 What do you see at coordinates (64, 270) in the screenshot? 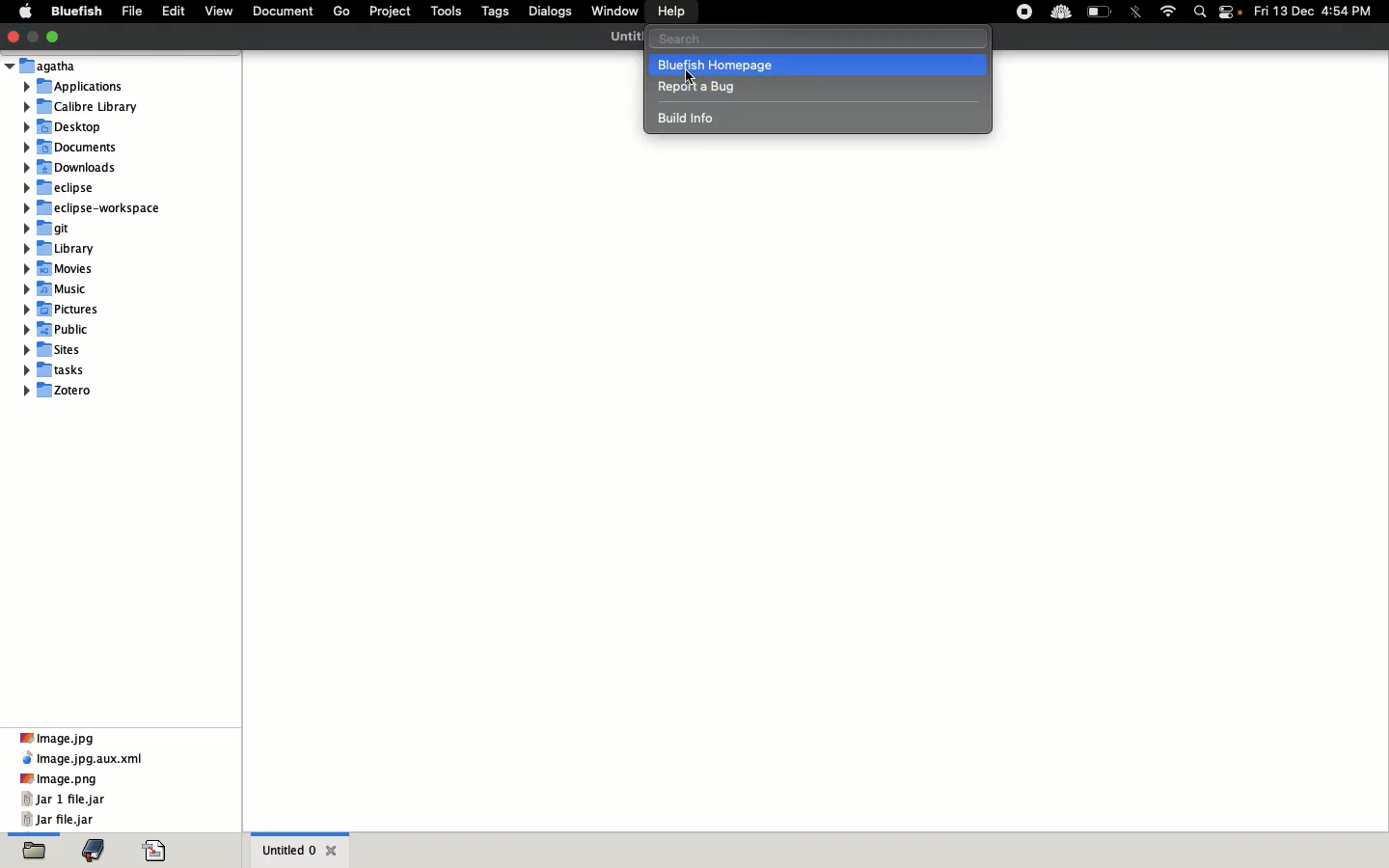
I see `movies` at bounding box center [64, 270].